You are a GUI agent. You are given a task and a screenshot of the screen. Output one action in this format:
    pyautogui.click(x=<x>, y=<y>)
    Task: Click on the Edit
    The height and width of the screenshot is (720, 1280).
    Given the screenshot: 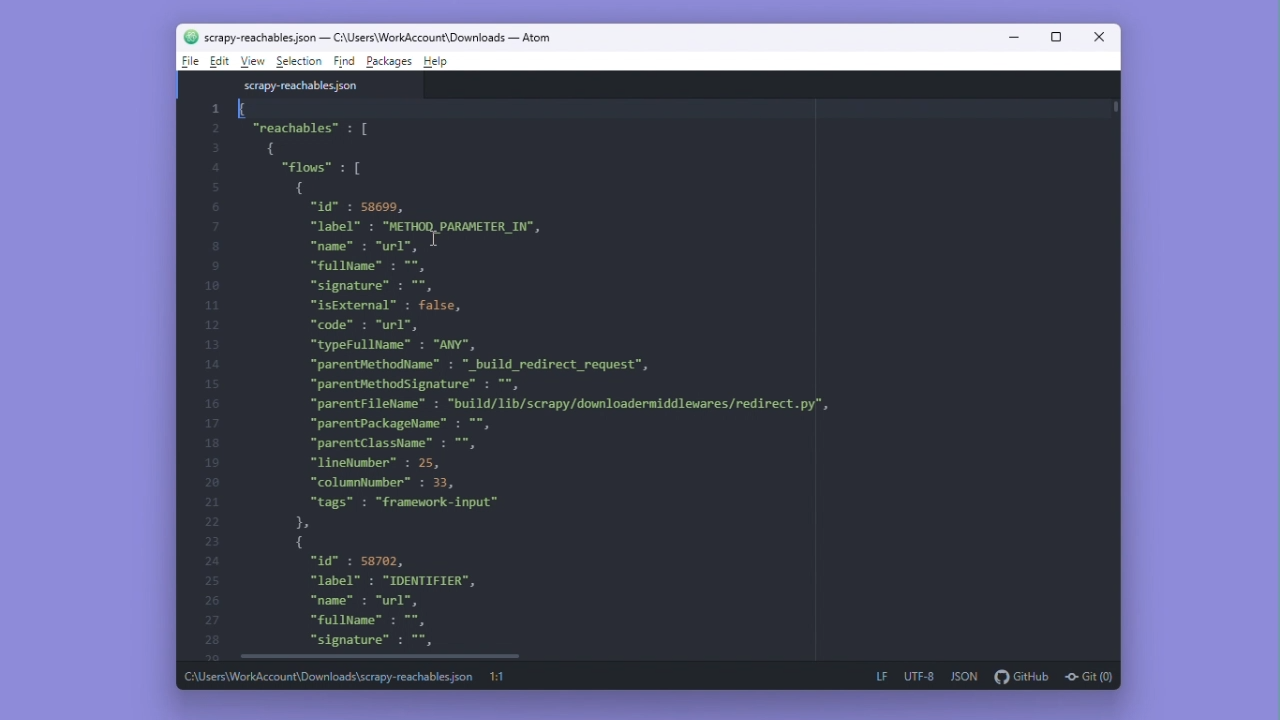 What is the action you would take?
    pyautogui.click(x=218, y=62)
    